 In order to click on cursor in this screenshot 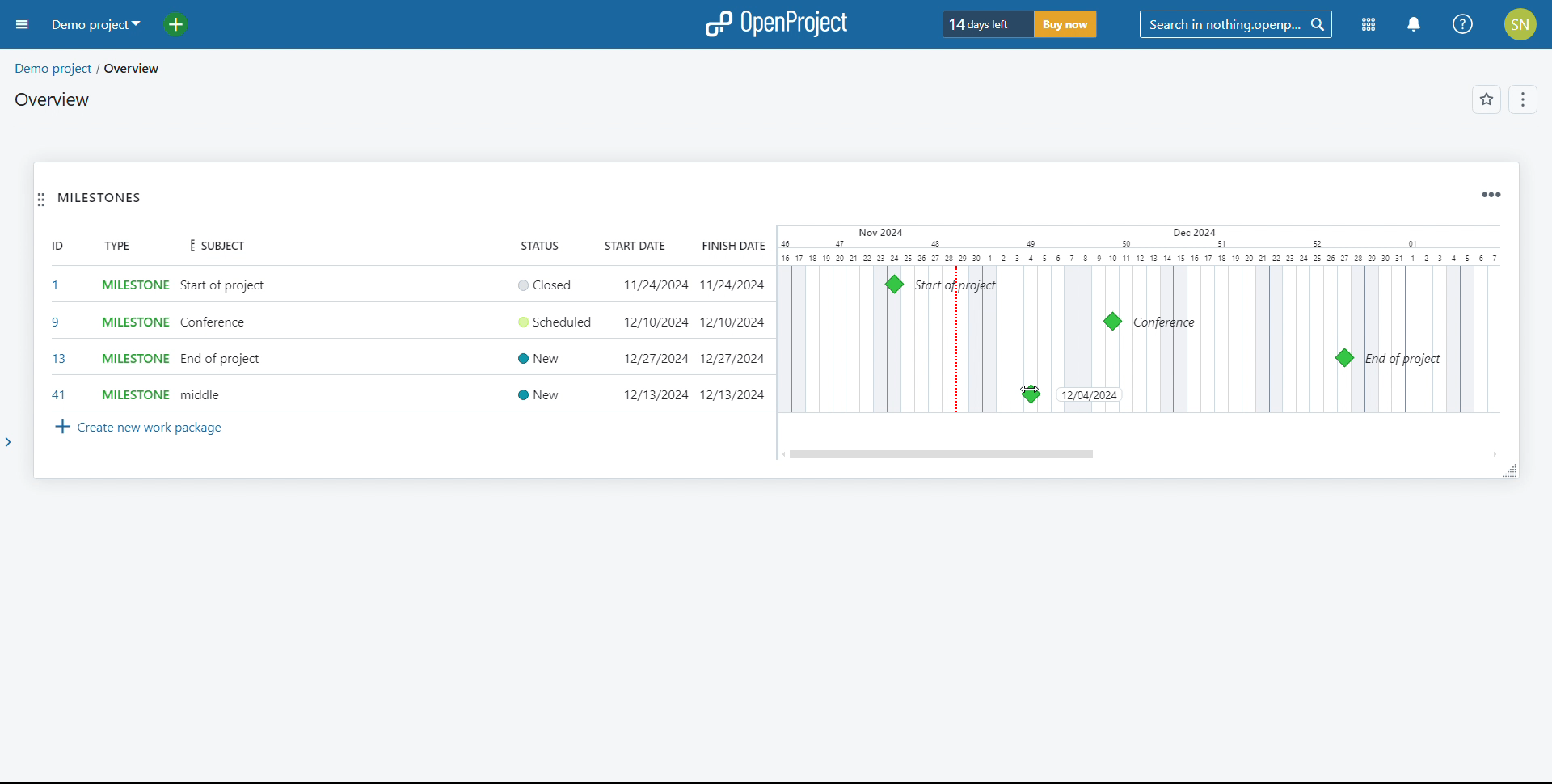, I will do `click(1030, 390)`.